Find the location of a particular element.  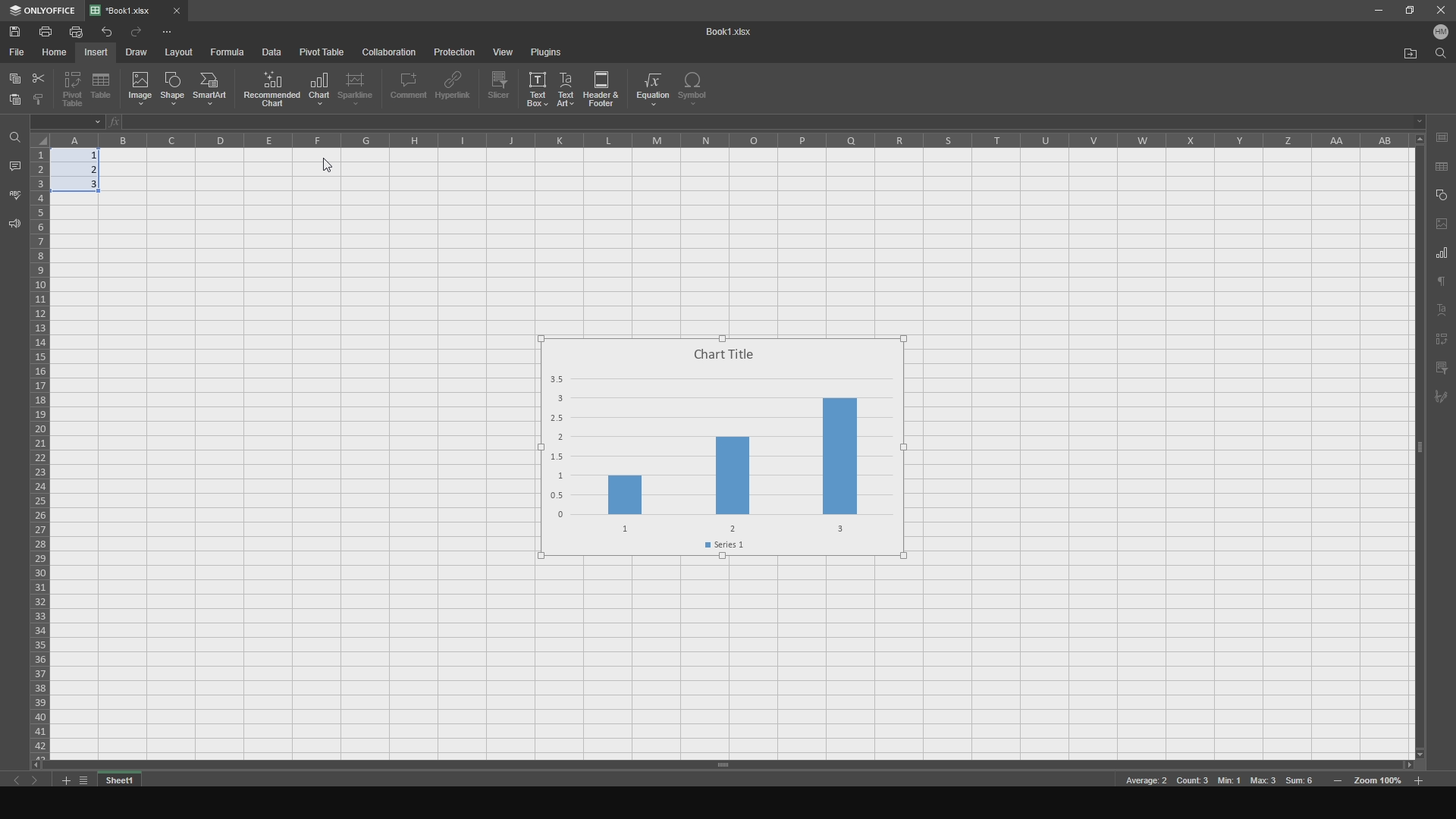

chart is located at coordinates (737, 441).